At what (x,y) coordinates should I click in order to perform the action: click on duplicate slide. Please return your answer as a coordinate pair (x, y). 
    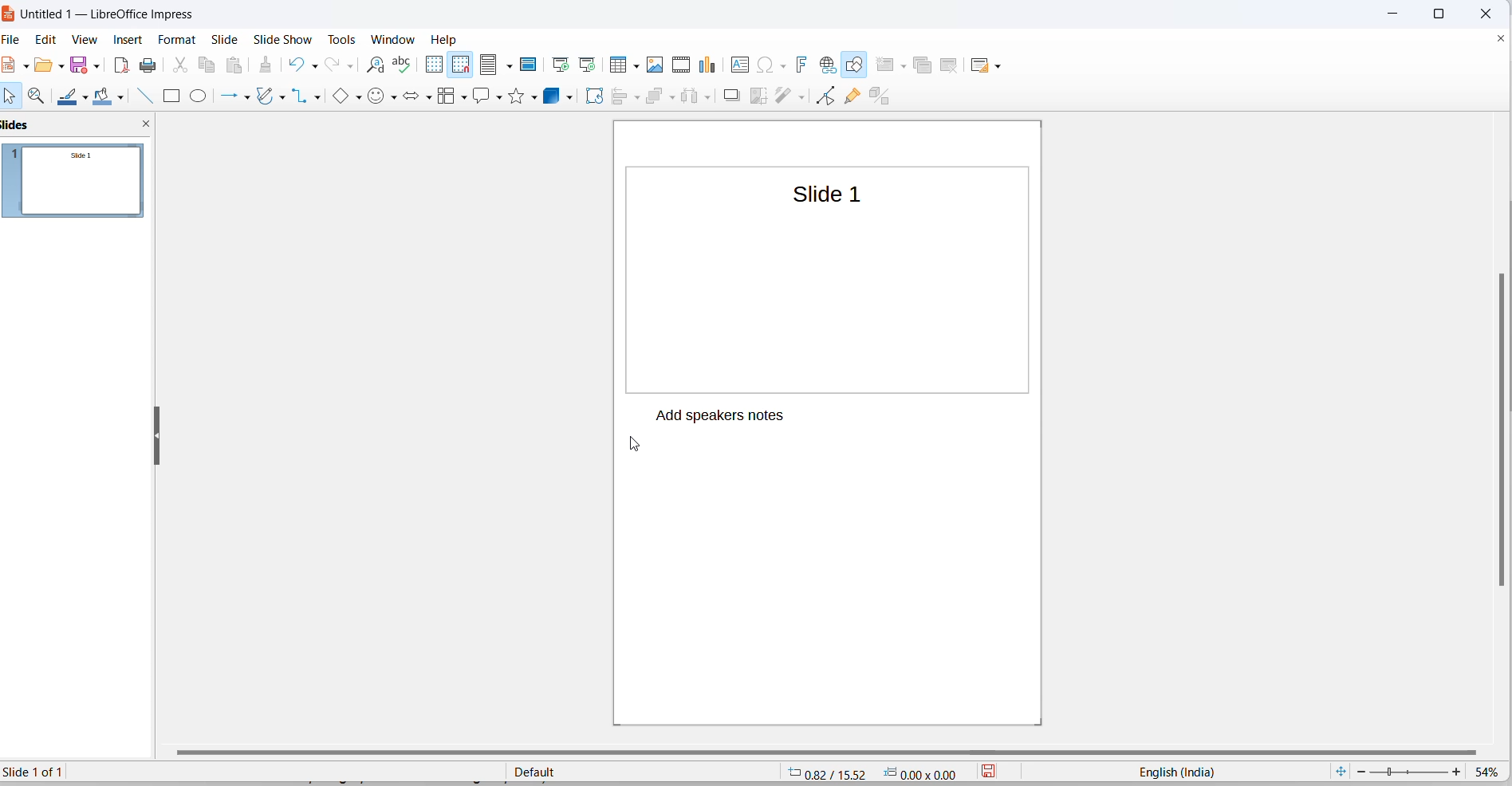
    Looking at the image, I should click on (925, 65).